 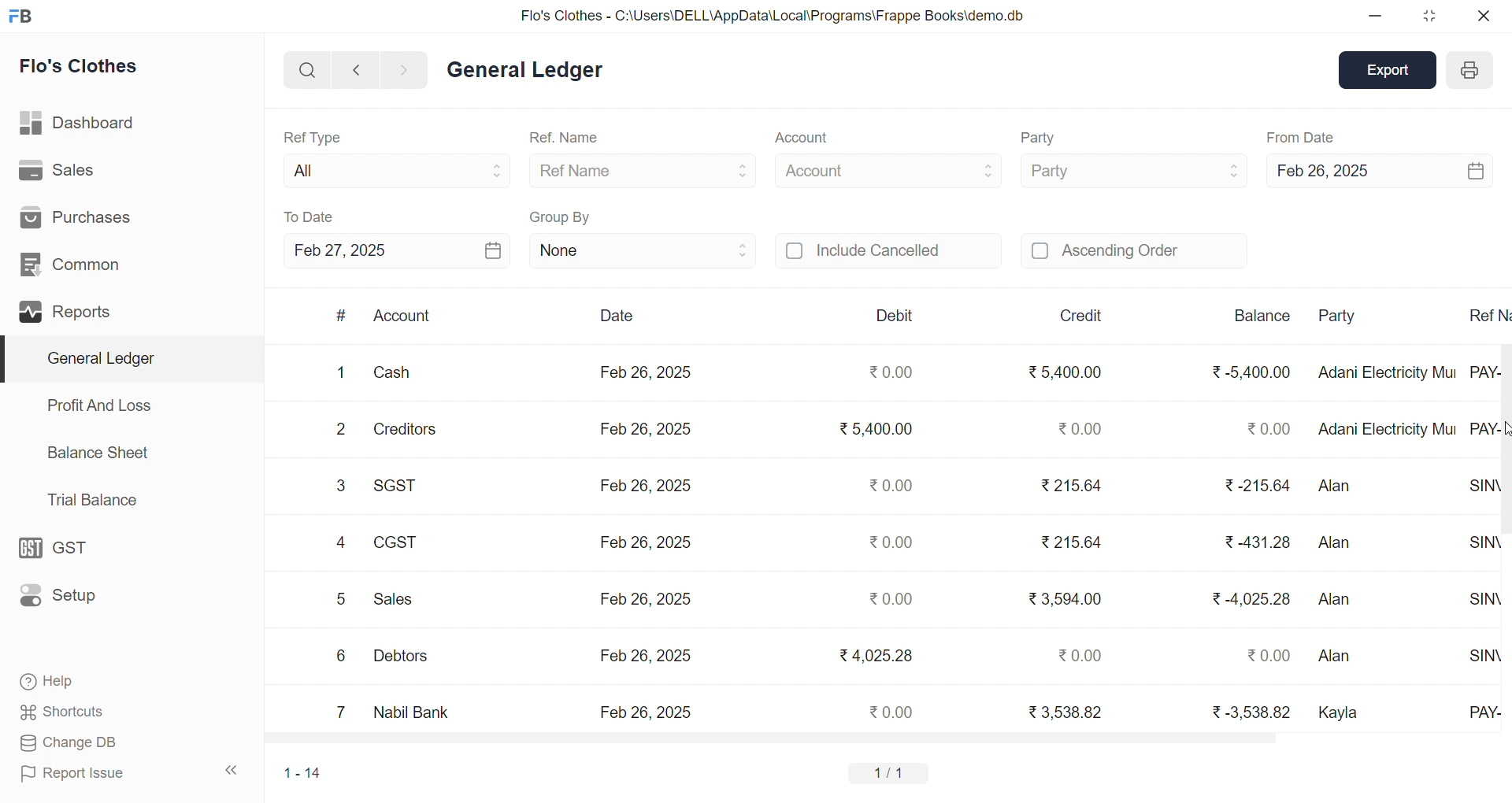 I want to click on ₹ 0.00, so click(x=1269, y=656).